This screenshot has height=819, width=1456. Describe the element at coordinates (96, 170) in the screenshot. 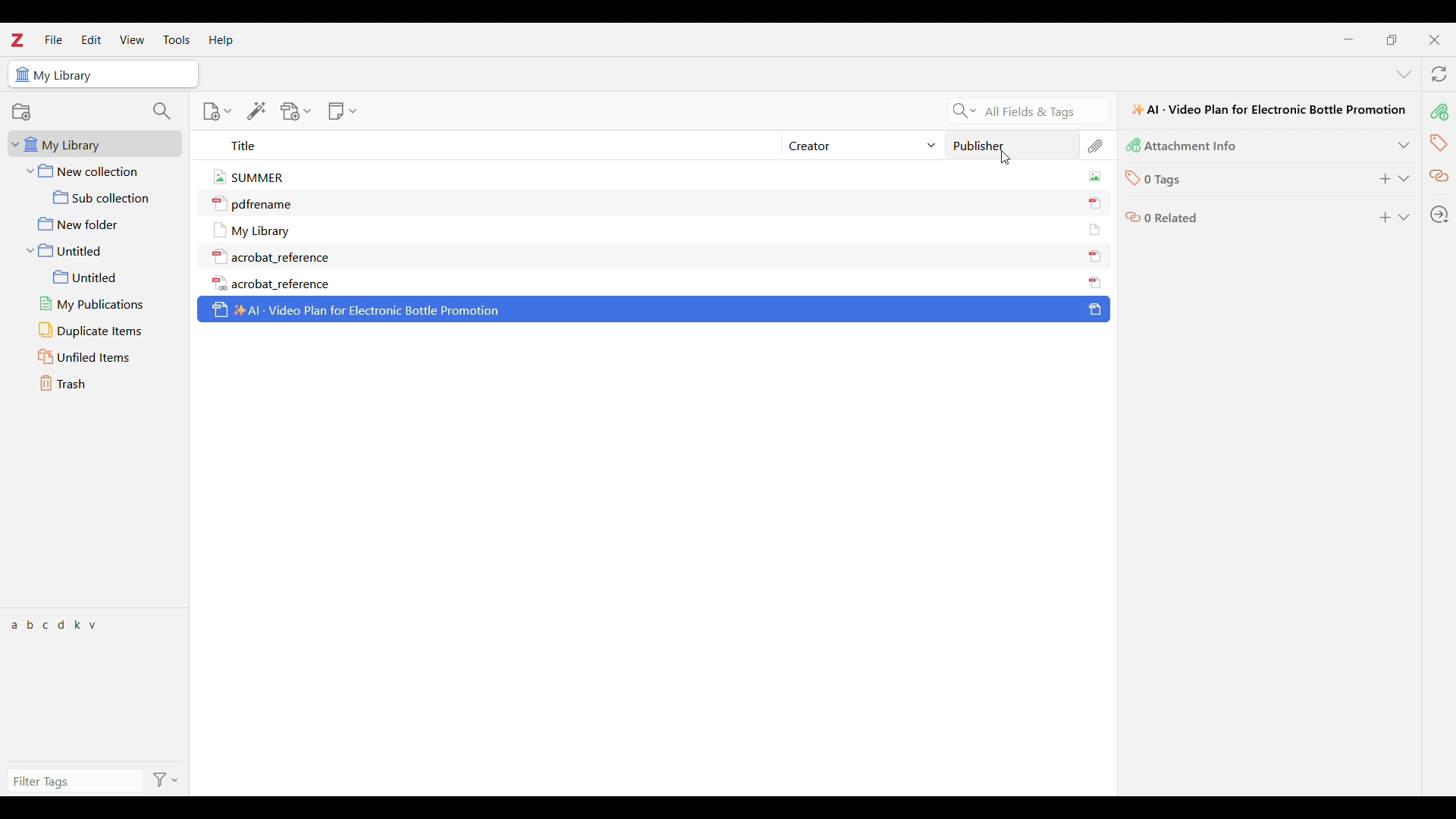

I see `New collection` at that location.